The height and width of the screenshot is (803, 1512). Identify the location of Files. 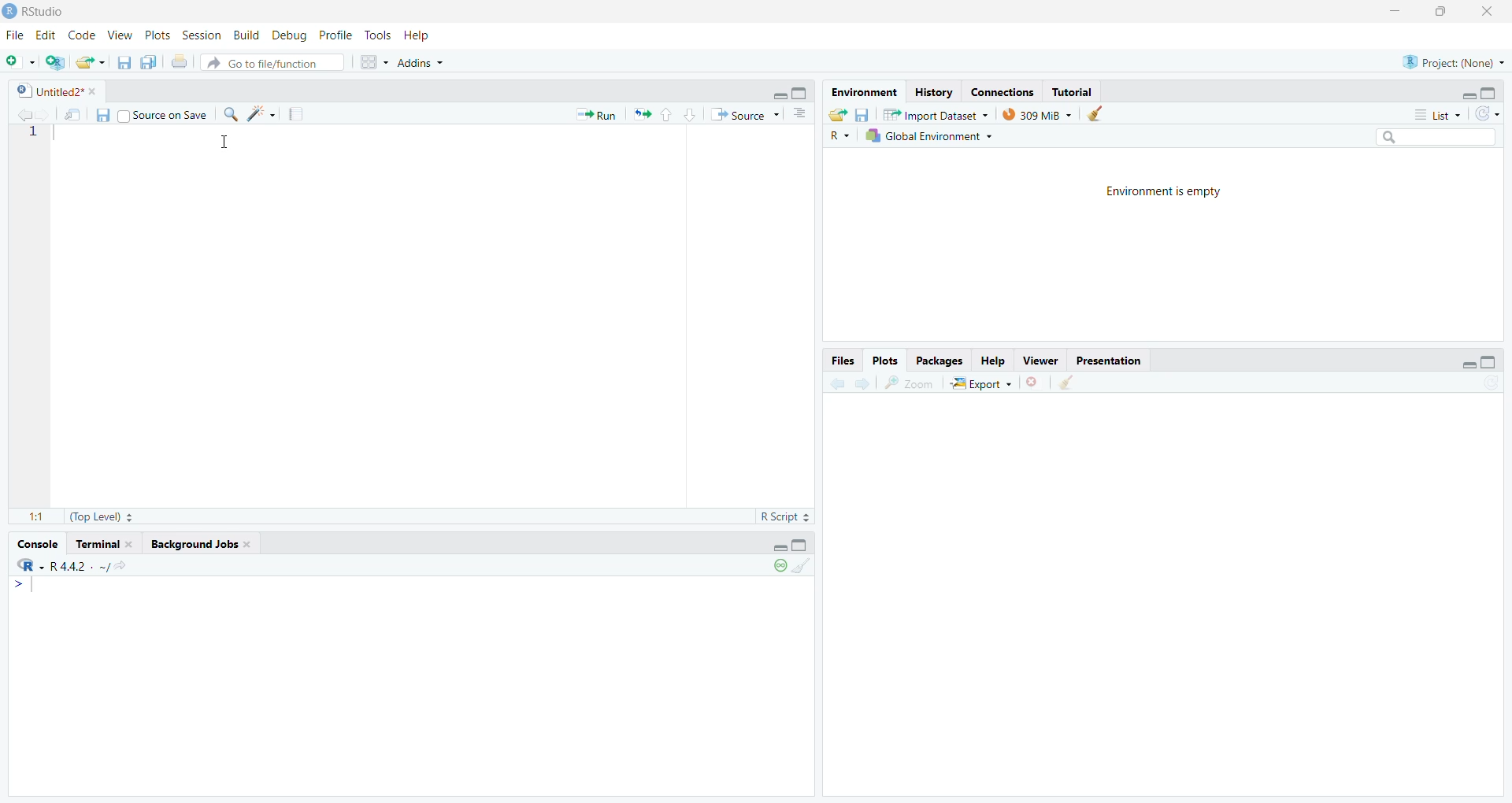
(839, 359).